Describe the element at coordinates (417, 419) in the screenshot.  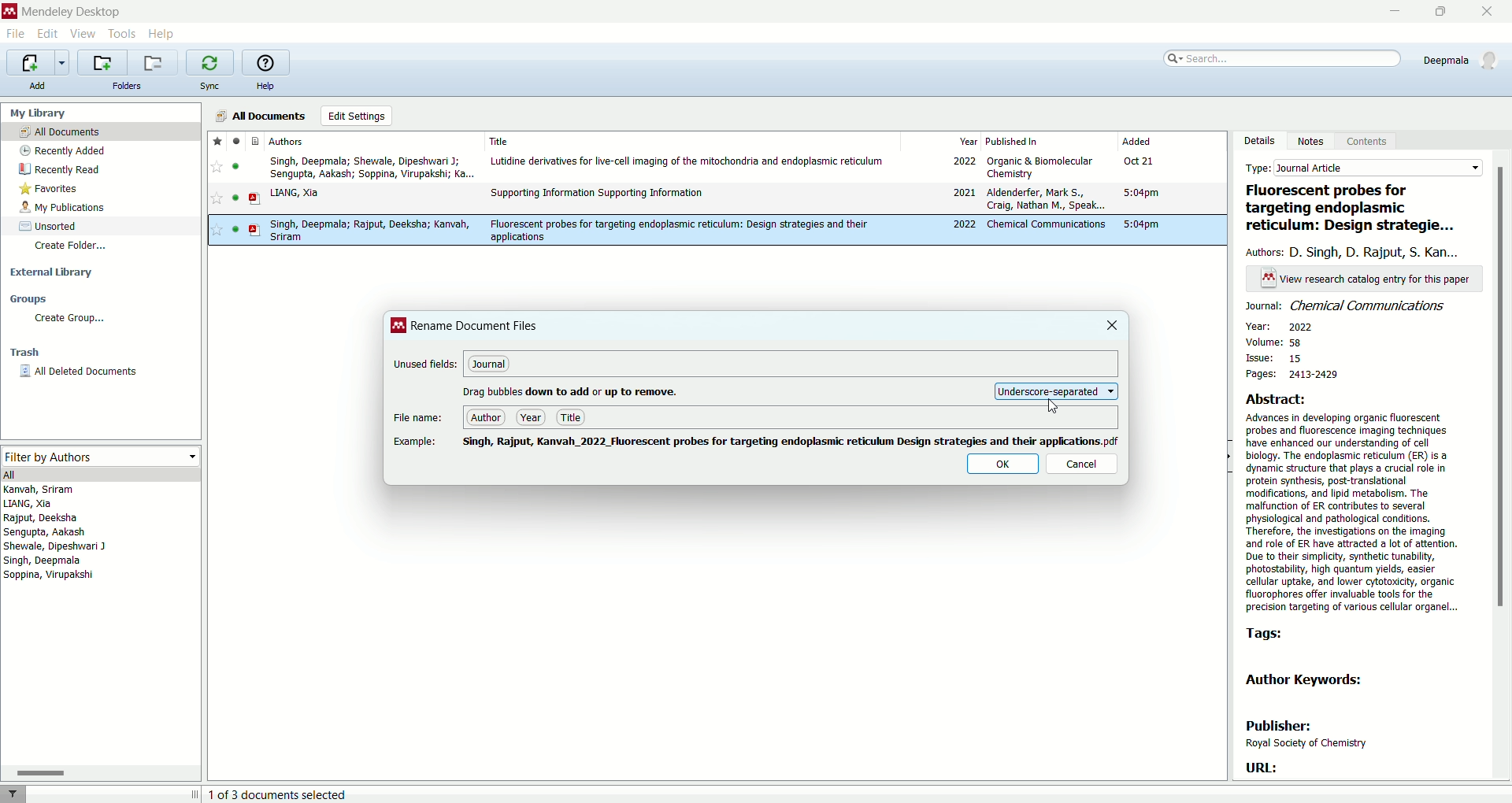
I see `ile name` at that location.